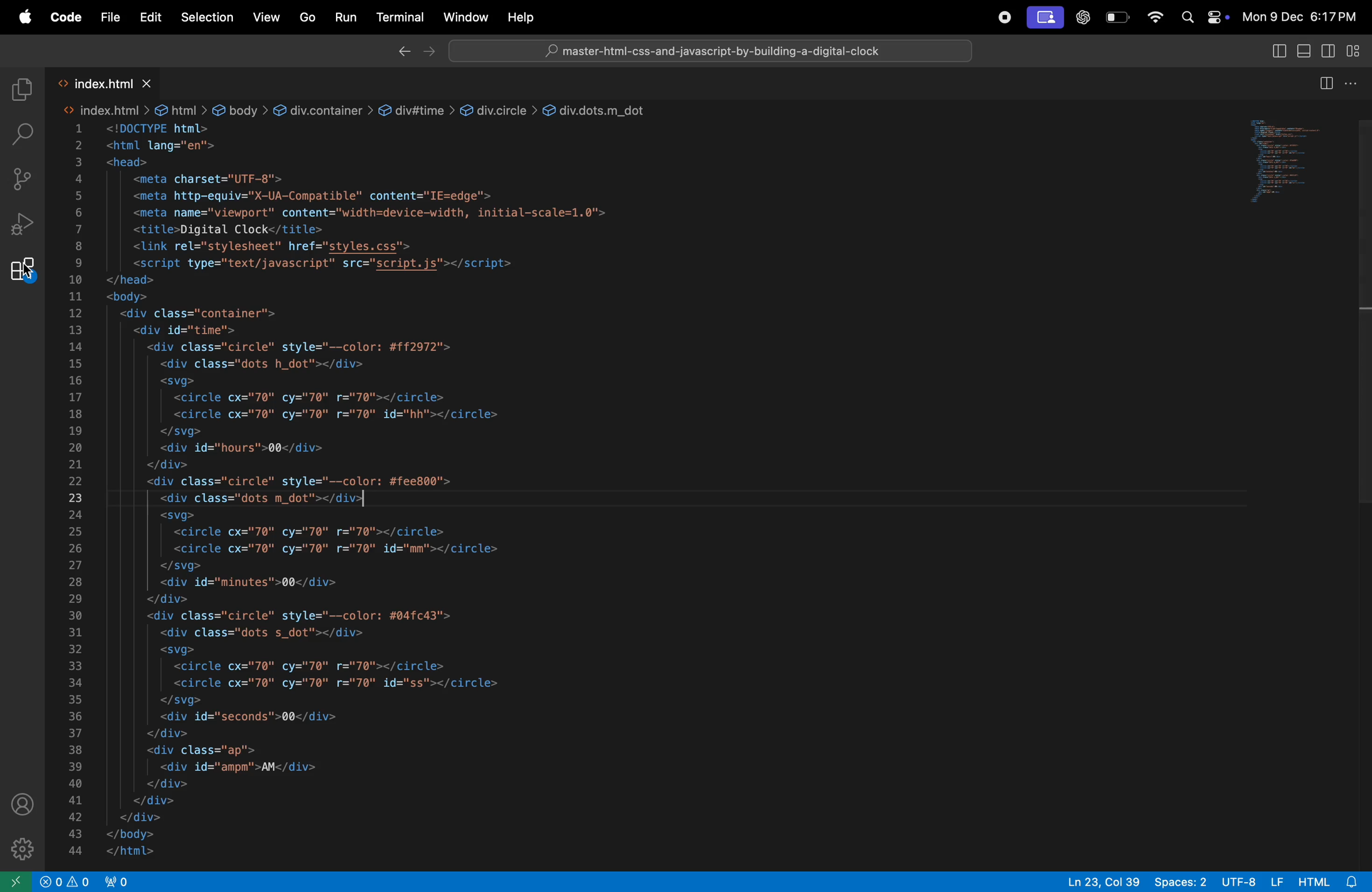  I want to click on toggle secondary side bar, so click(1276, 50).